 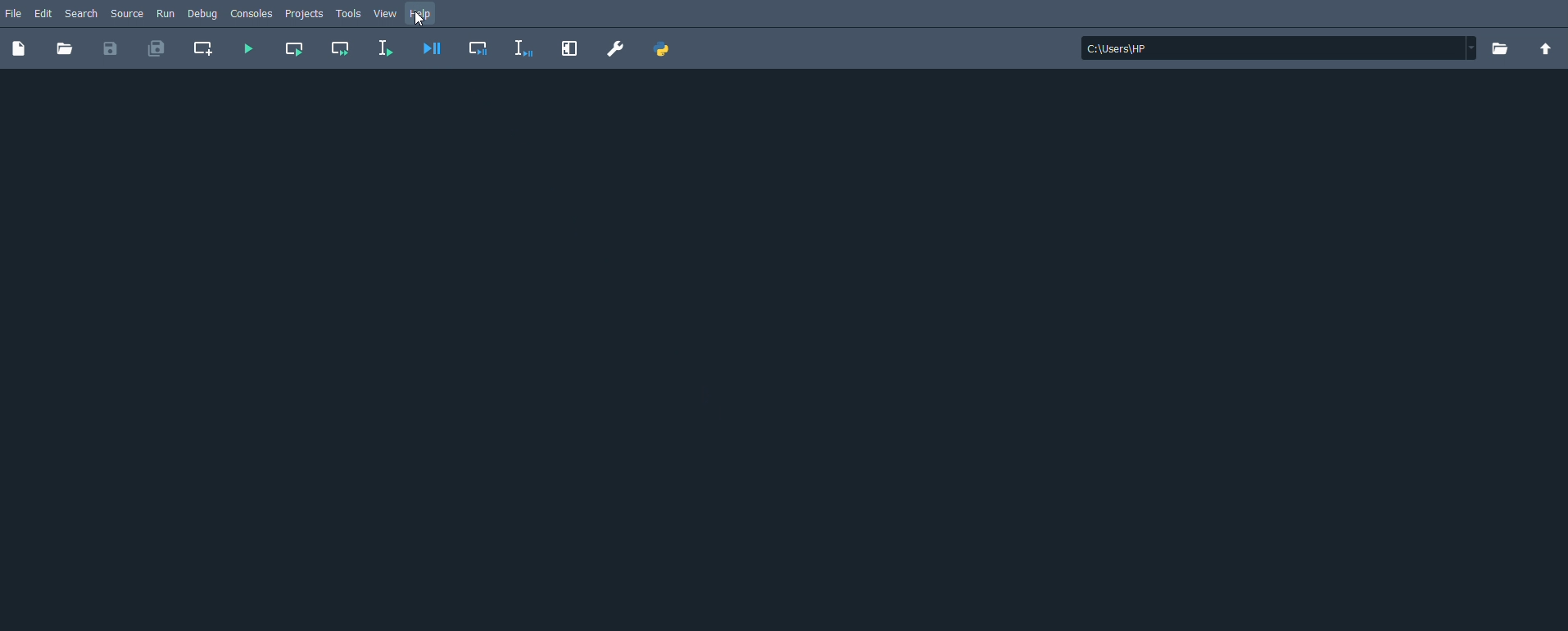 I want to click on Maximize current pane, so click(x=568, y=48).